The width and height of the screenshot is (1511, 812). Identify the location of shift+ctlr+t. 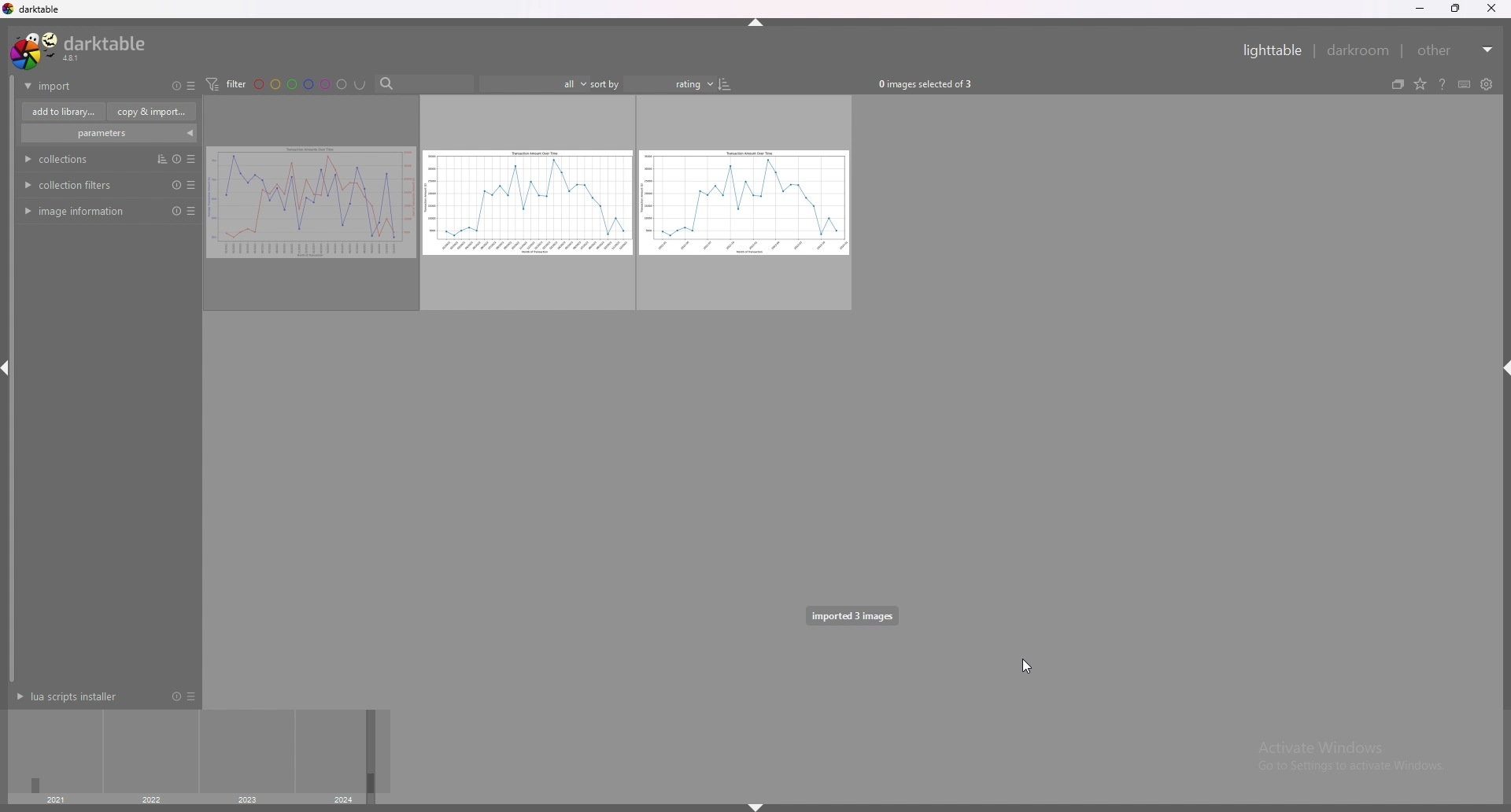
(758, 22).